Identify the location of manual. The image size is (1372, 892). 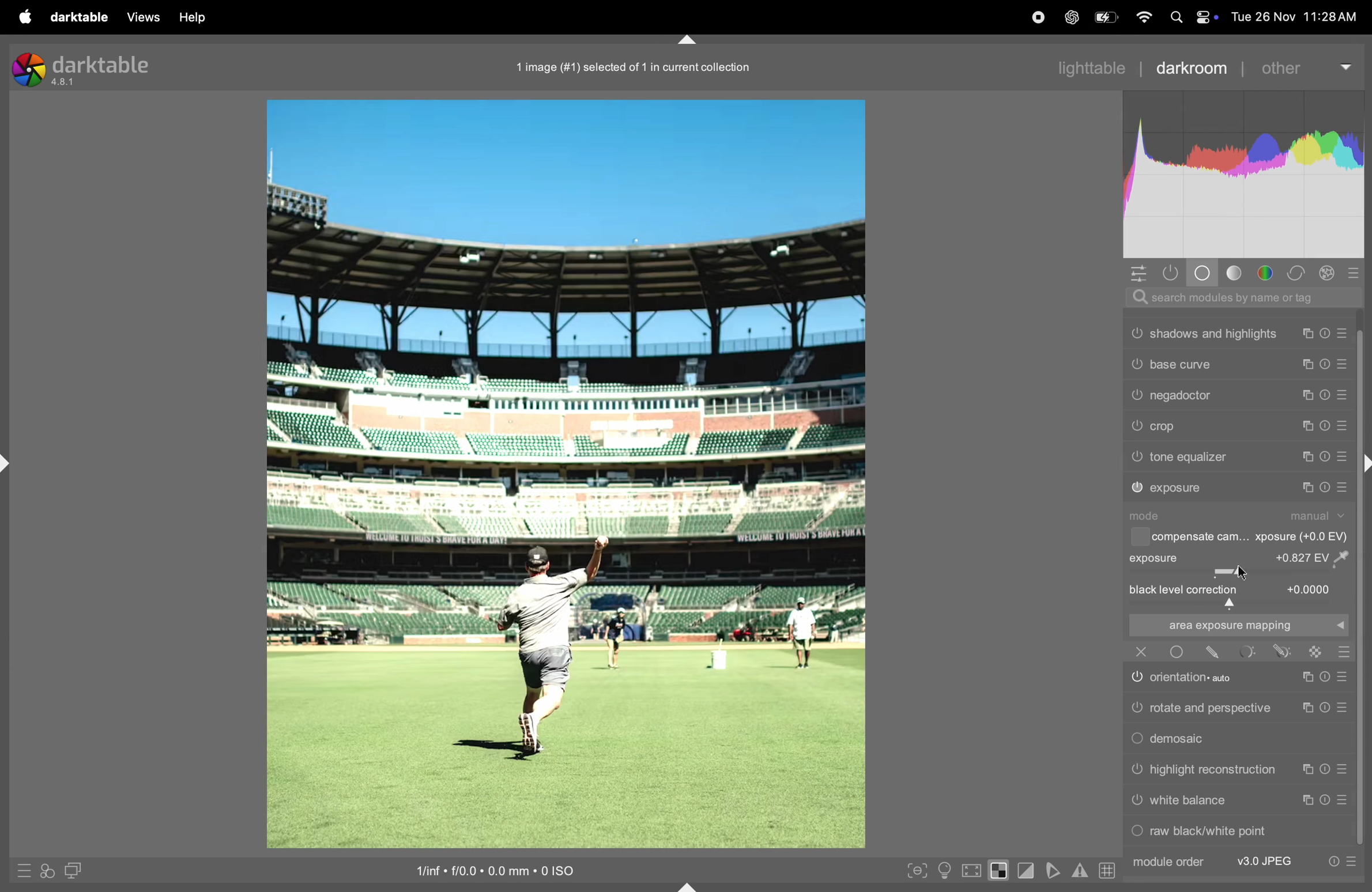
(1320, 516).